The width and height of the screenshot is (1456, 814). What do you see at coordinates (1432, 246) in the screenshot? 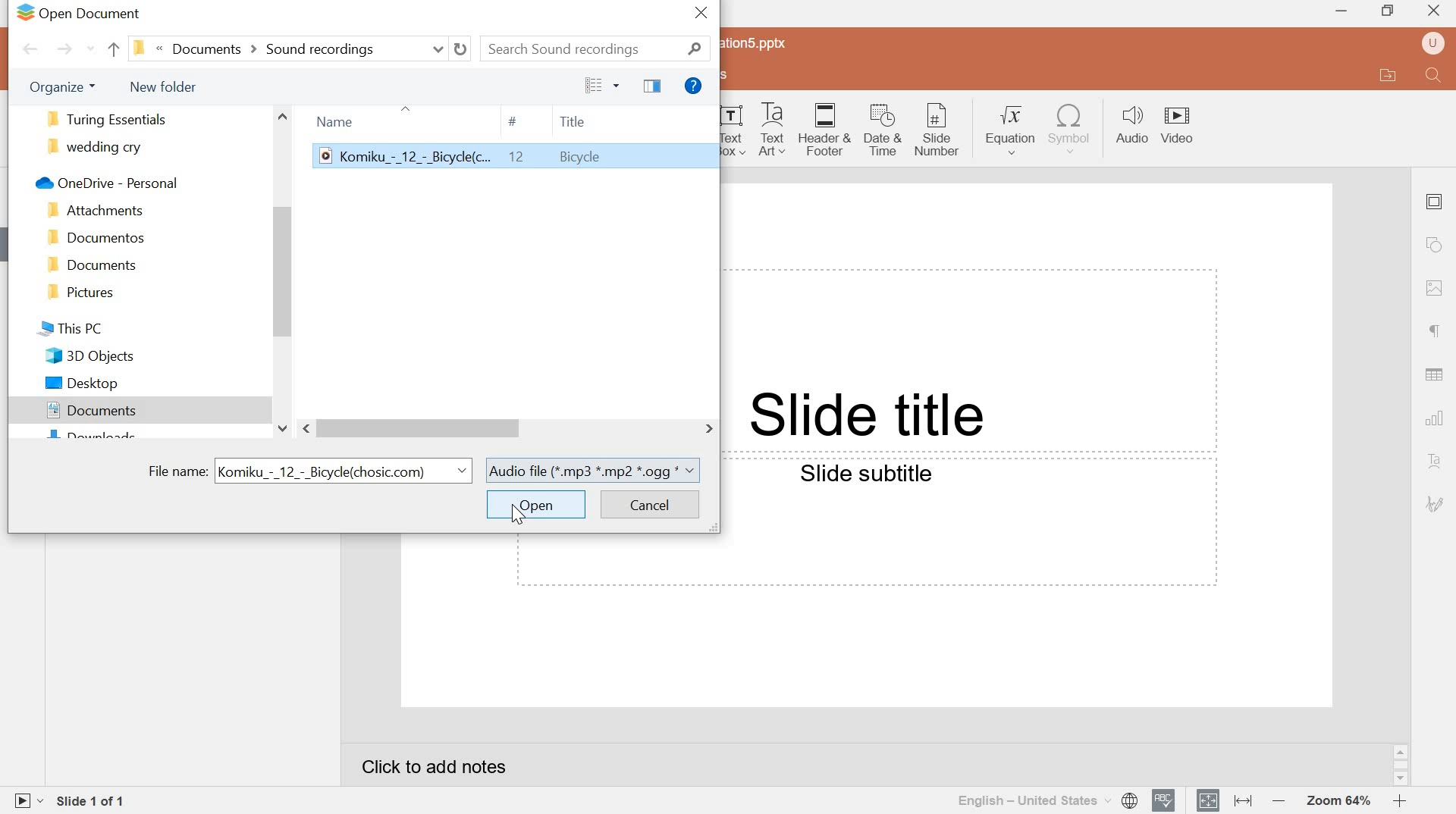
I see `shape settings` at bounding box center [1432, 246].